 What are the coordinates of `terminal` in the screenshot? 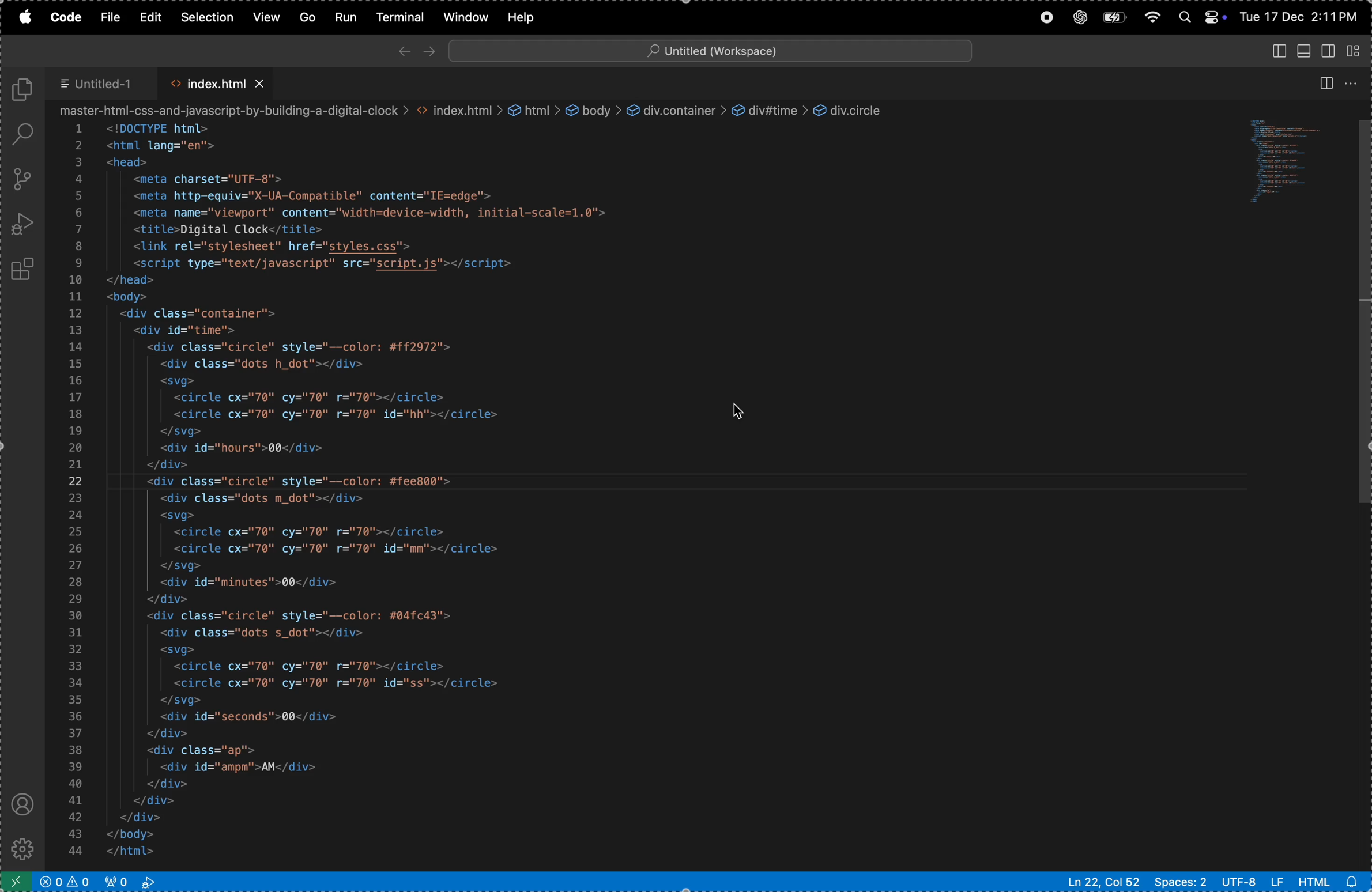 It's located at (402, 19).